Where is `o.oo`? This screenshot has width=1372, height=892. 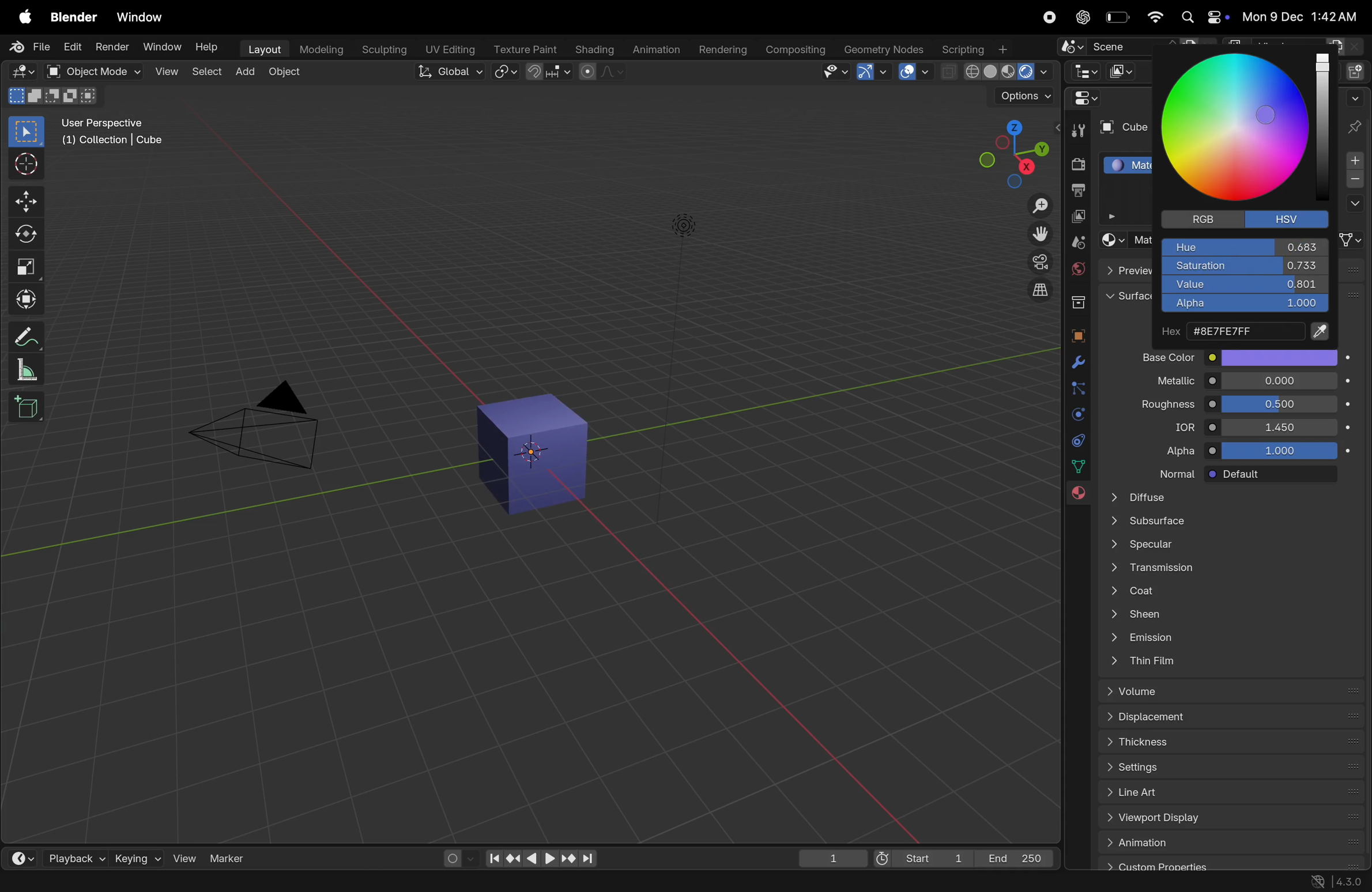
o.oo is located at coordinates (1280, 381).